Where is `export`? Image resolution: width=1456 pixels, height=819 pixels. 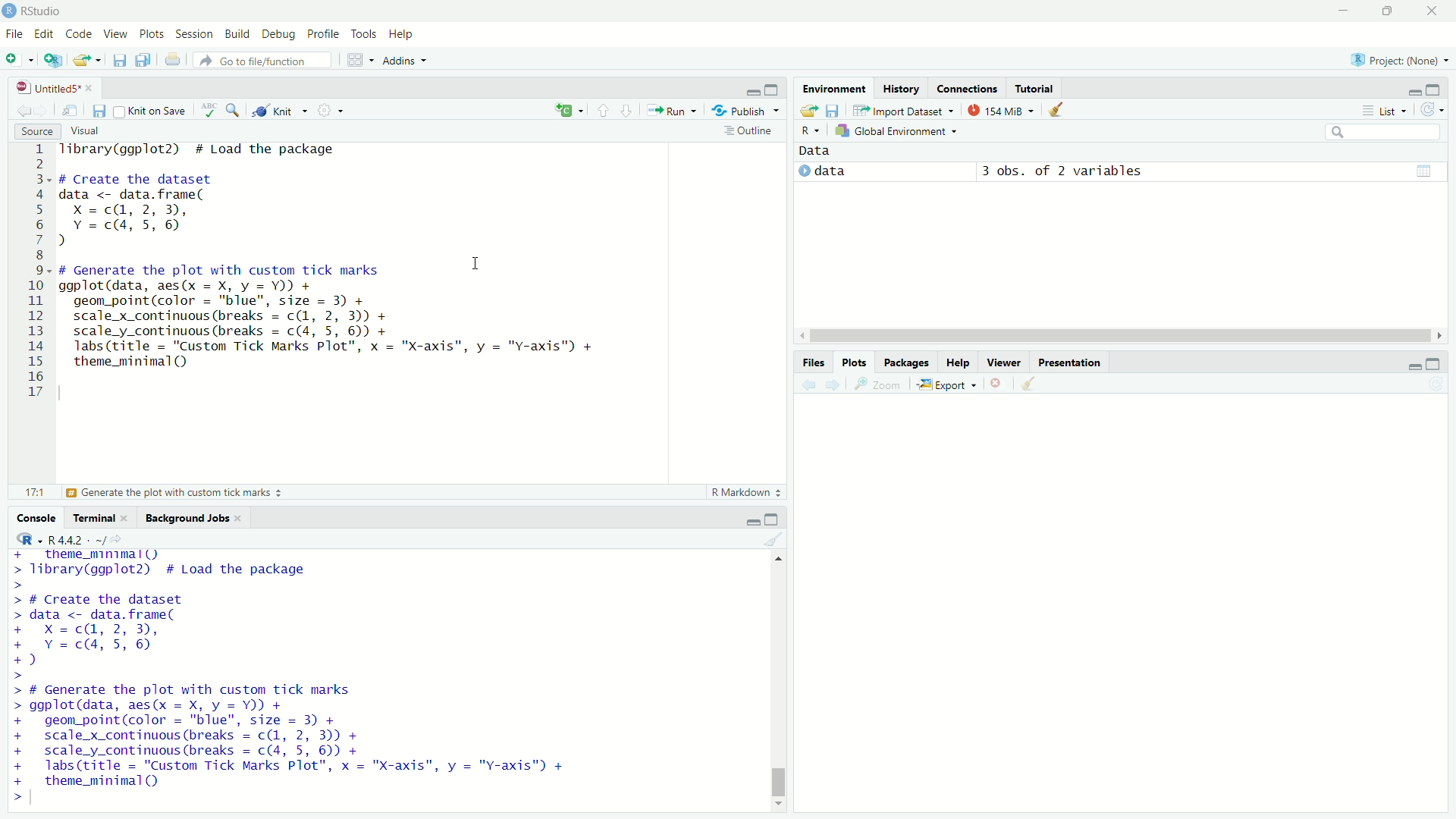 export is located at coordinates (949, 385).